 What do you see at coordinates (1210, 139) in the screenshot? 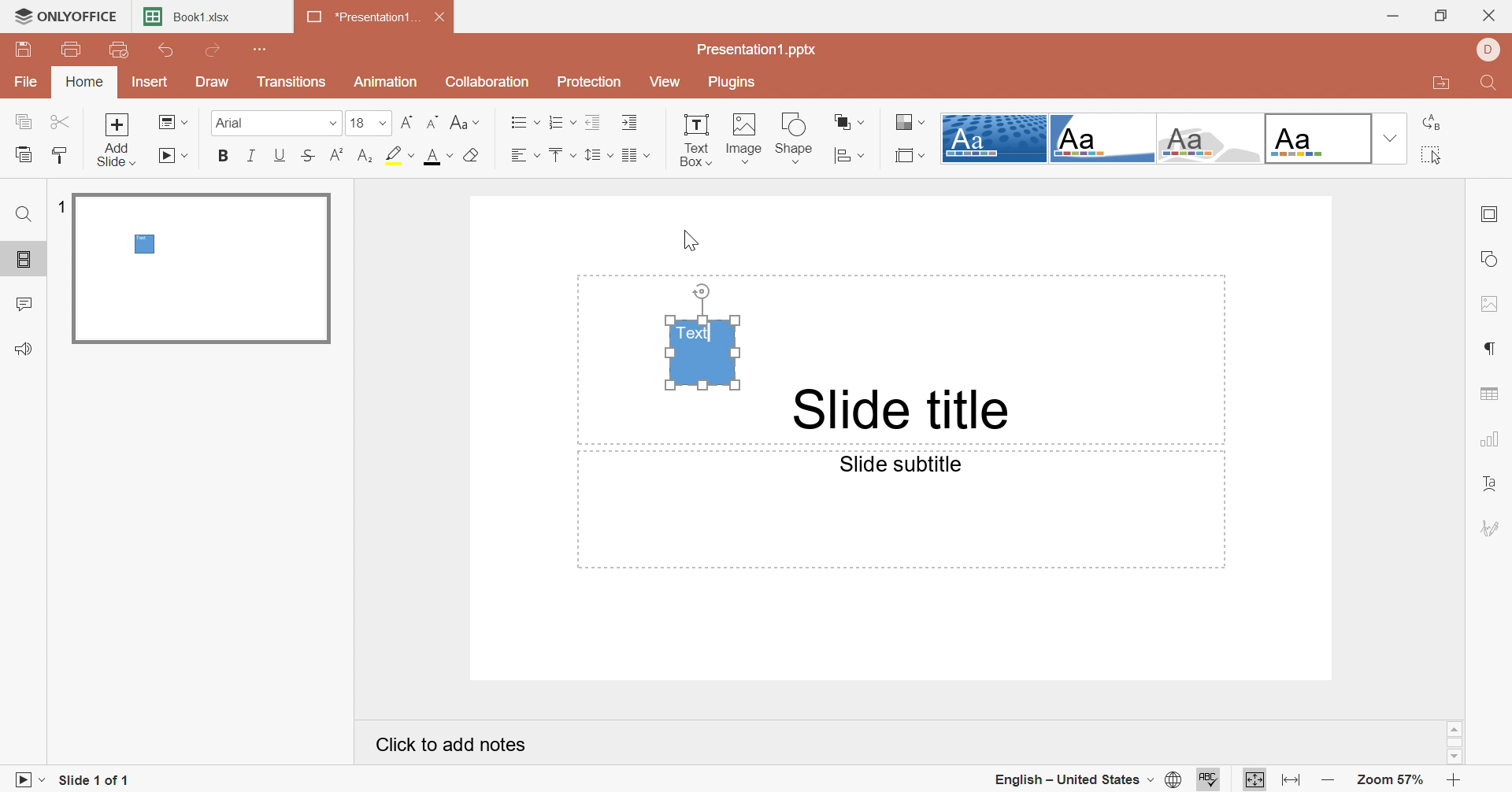
I see `Turtle` at bounding box center [1210, 139].